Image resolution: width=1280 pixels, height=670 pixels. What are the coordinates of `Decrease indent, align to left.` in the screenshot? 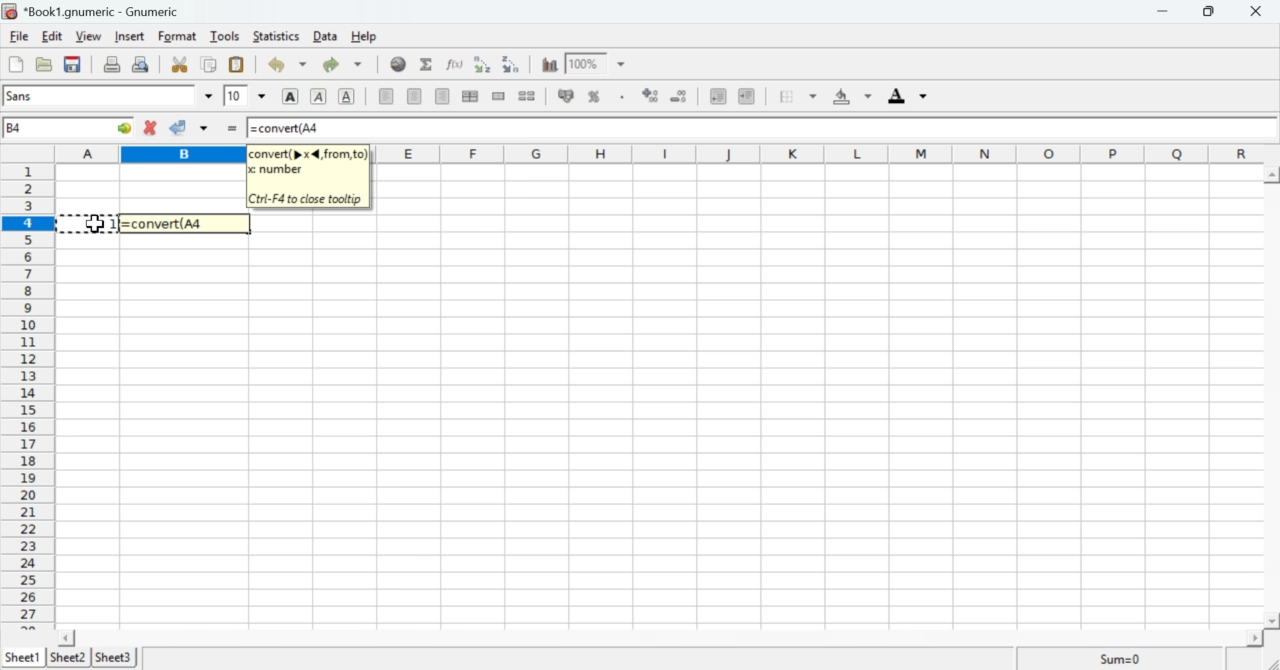 It's located at (719, 97).